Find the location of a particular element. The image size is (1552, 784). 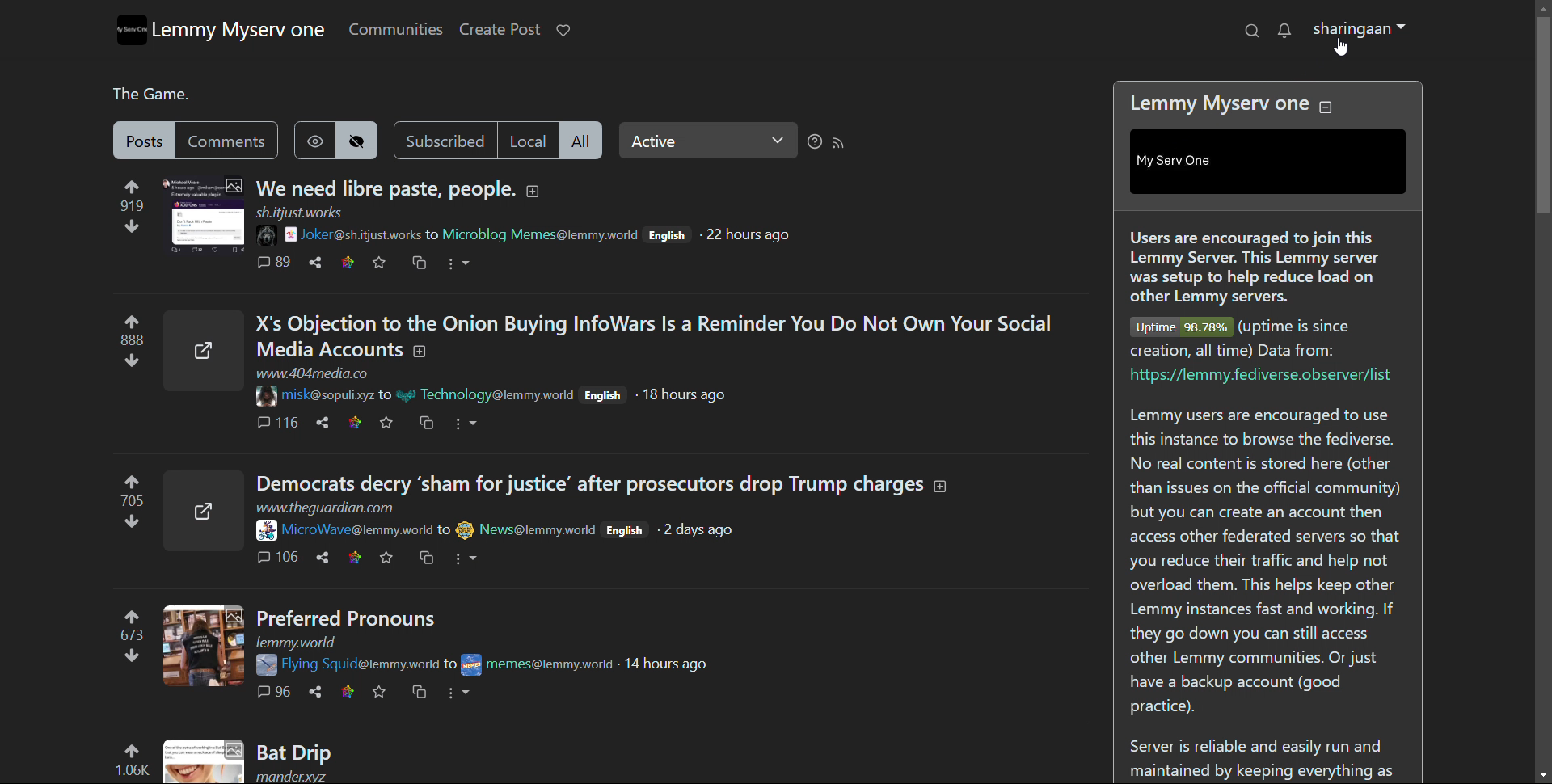

705 is located at coordinates (133, 501).